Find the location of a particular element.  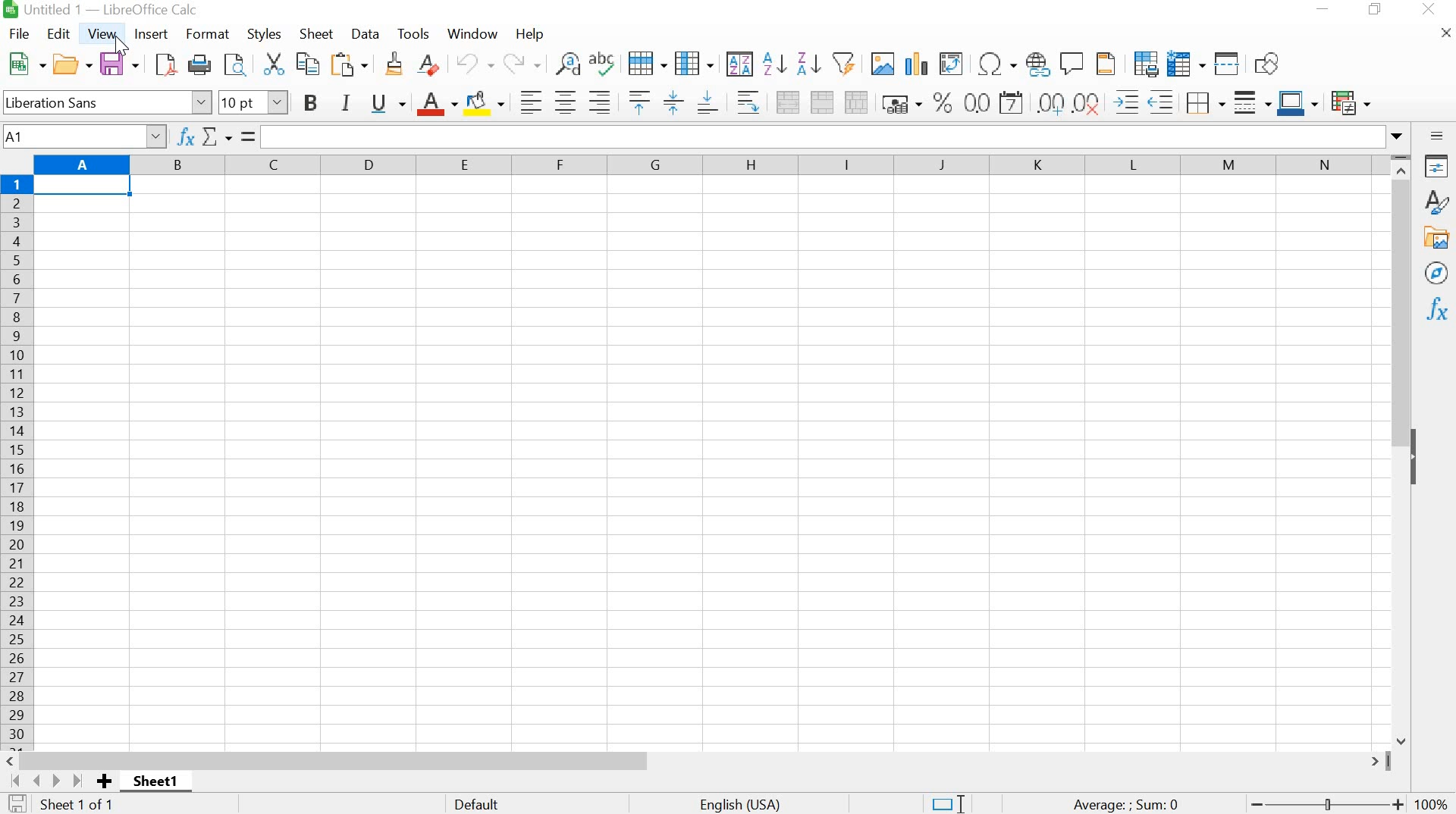

SELECT FUNCTION is located at coordinates (221, 135).